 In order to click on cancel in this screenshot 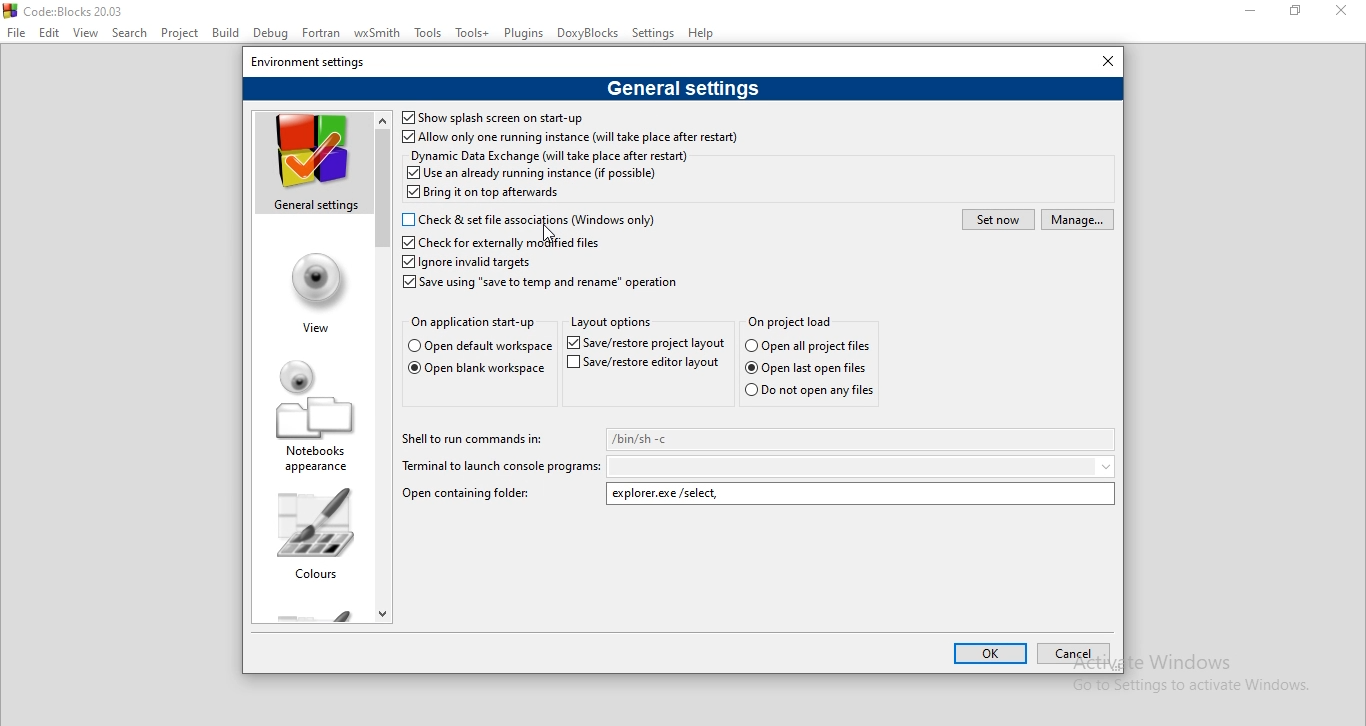, I will do `click(1075, 653)`.